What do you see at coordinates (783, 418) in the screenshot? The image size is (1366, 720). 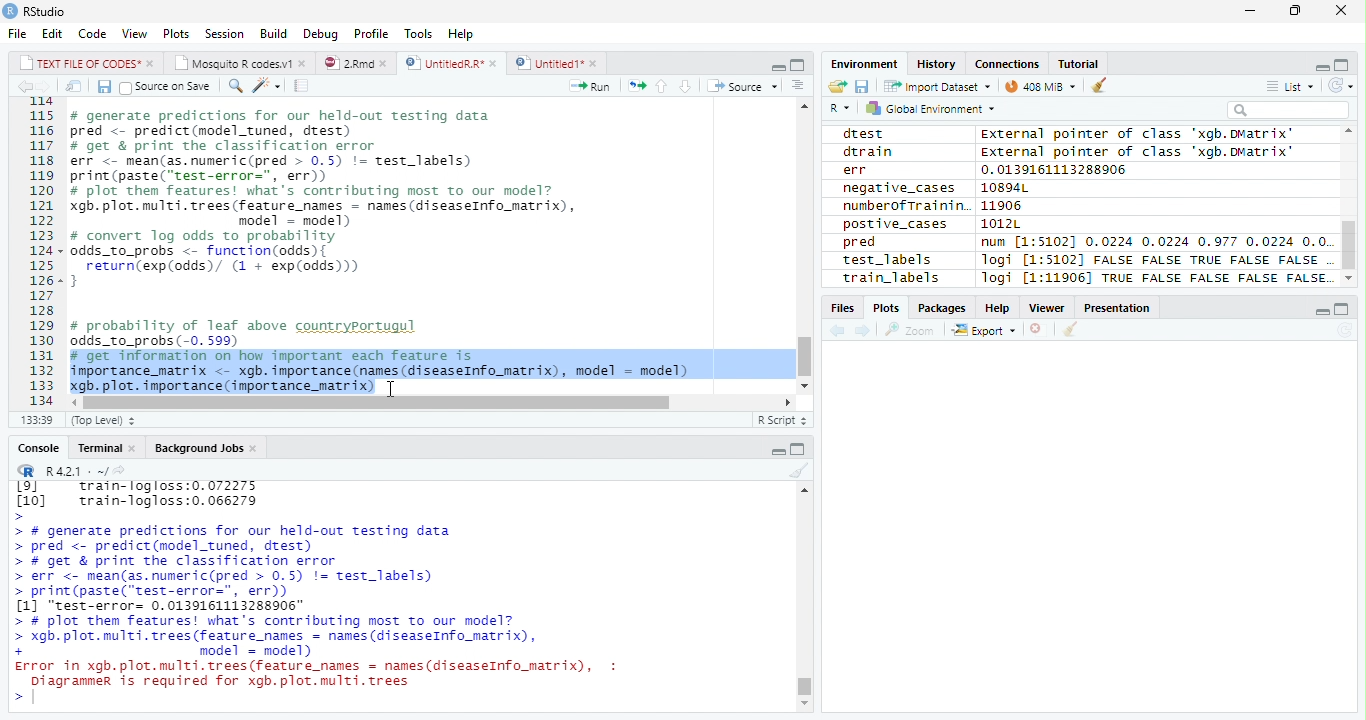 I see `R Script` at bounding box center [783, 418].